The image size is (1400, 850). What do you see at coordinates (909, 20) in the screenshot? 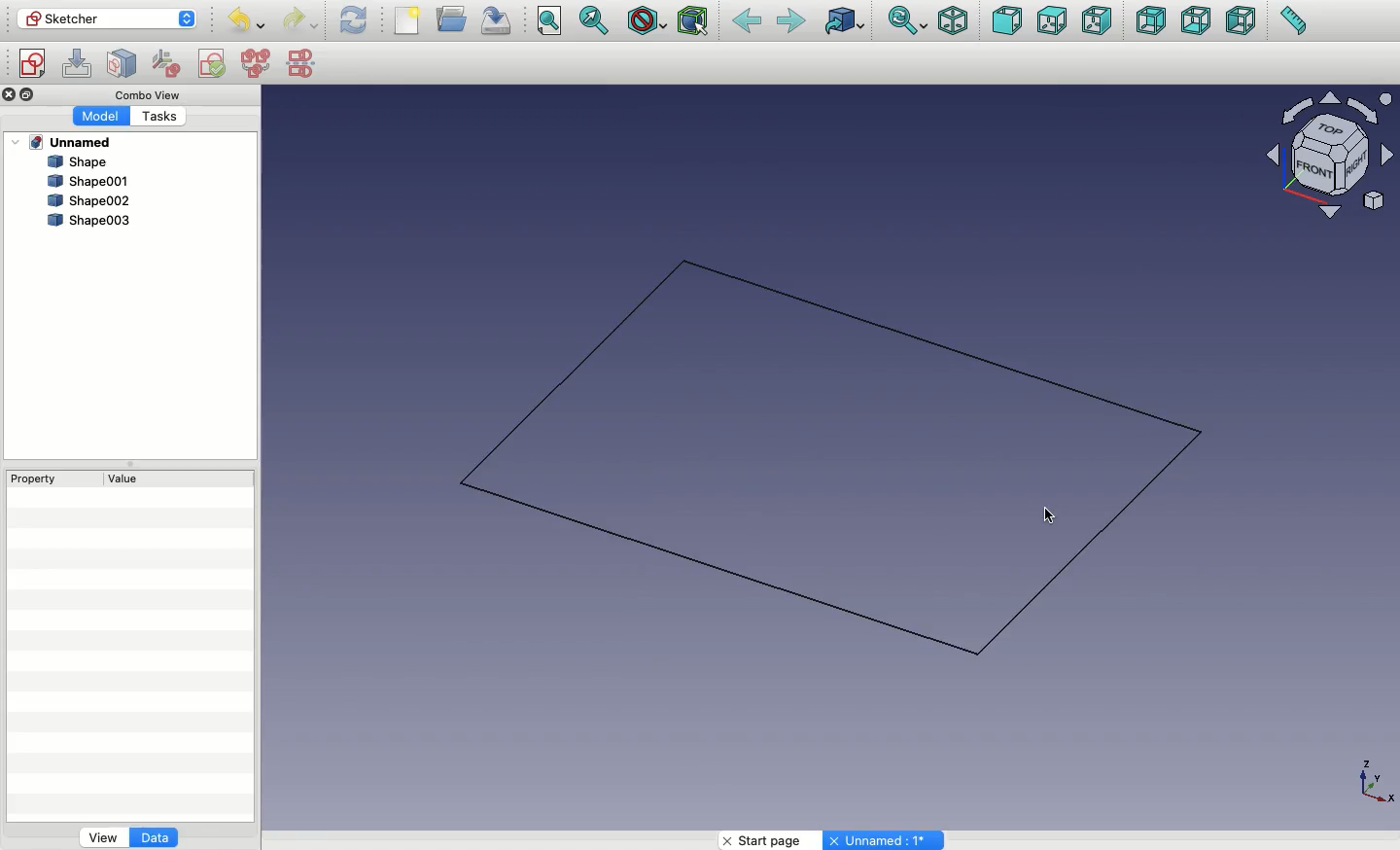
I see `Sync view` at bounding box center [909, 20].